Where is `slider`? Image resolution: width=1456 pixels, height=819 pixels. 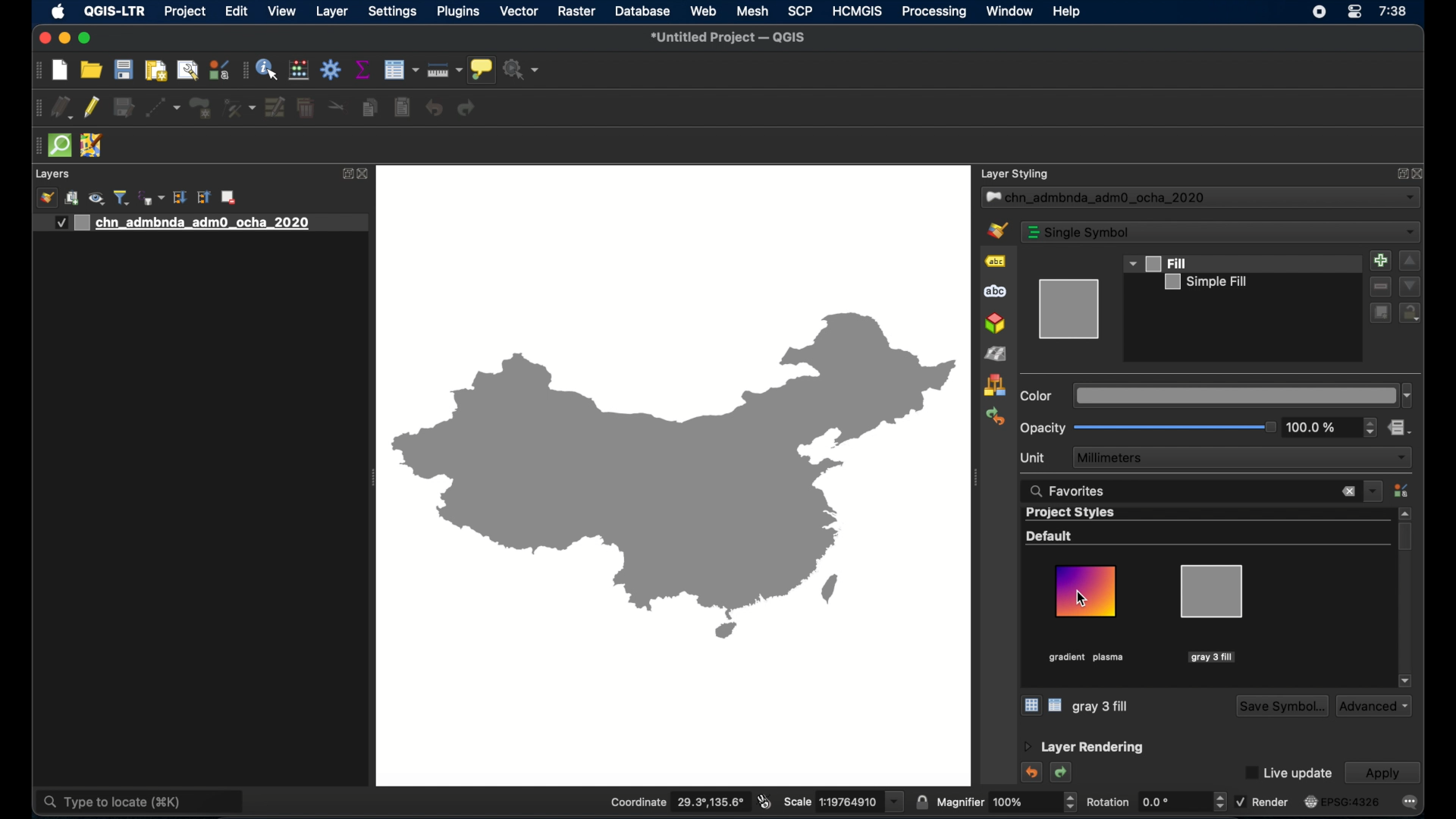
slider is located at coordinates (1176, 427).